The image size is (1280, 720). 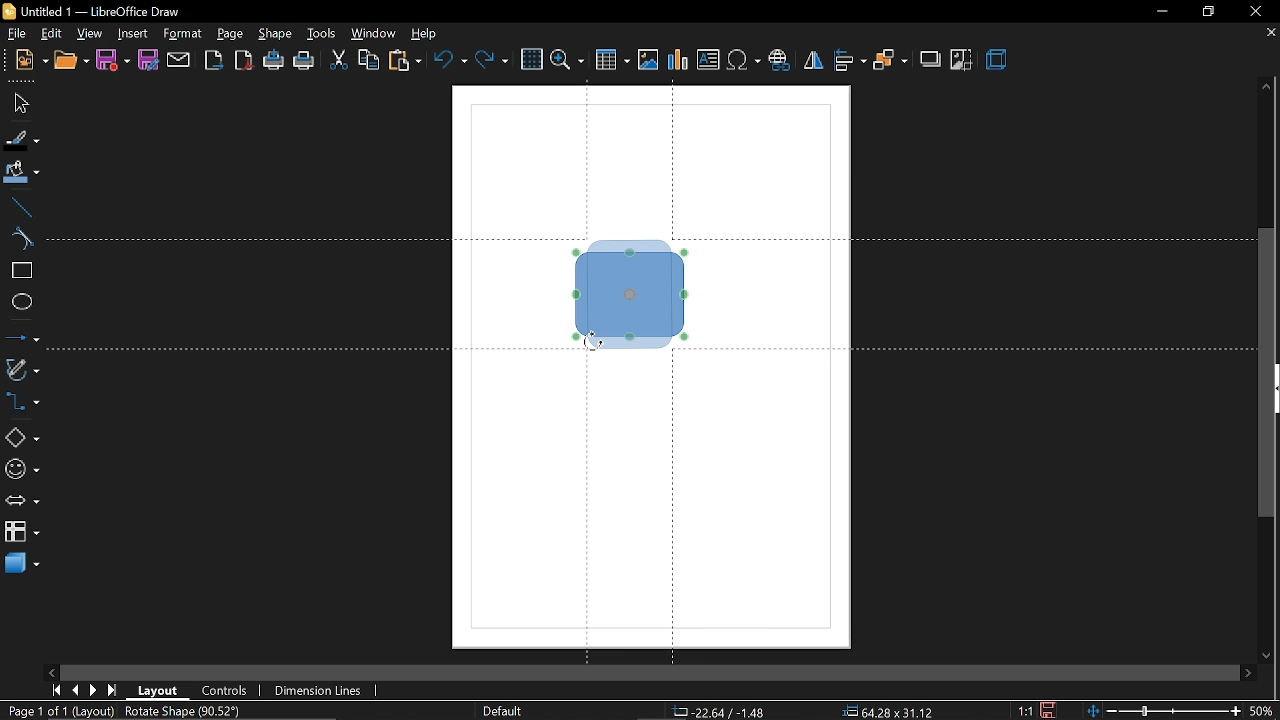 What do you see at coordinates (452, 62) in the screenshot?
I see `undo` at bounding box center [452, 62].